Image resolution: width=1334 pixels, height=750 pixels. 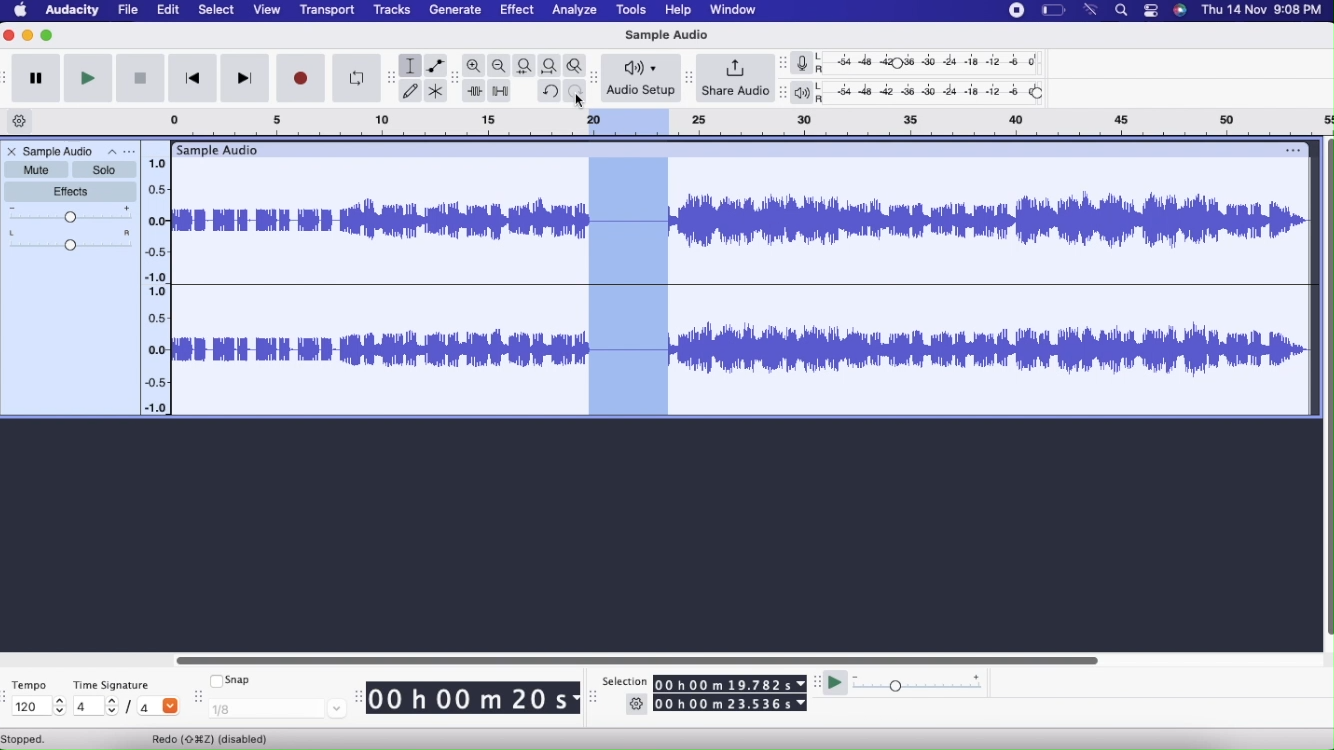 What do you see at coordinates (665, 35) in the screenshot?
I see `Sample Audio` at bounding box center [665, 35].